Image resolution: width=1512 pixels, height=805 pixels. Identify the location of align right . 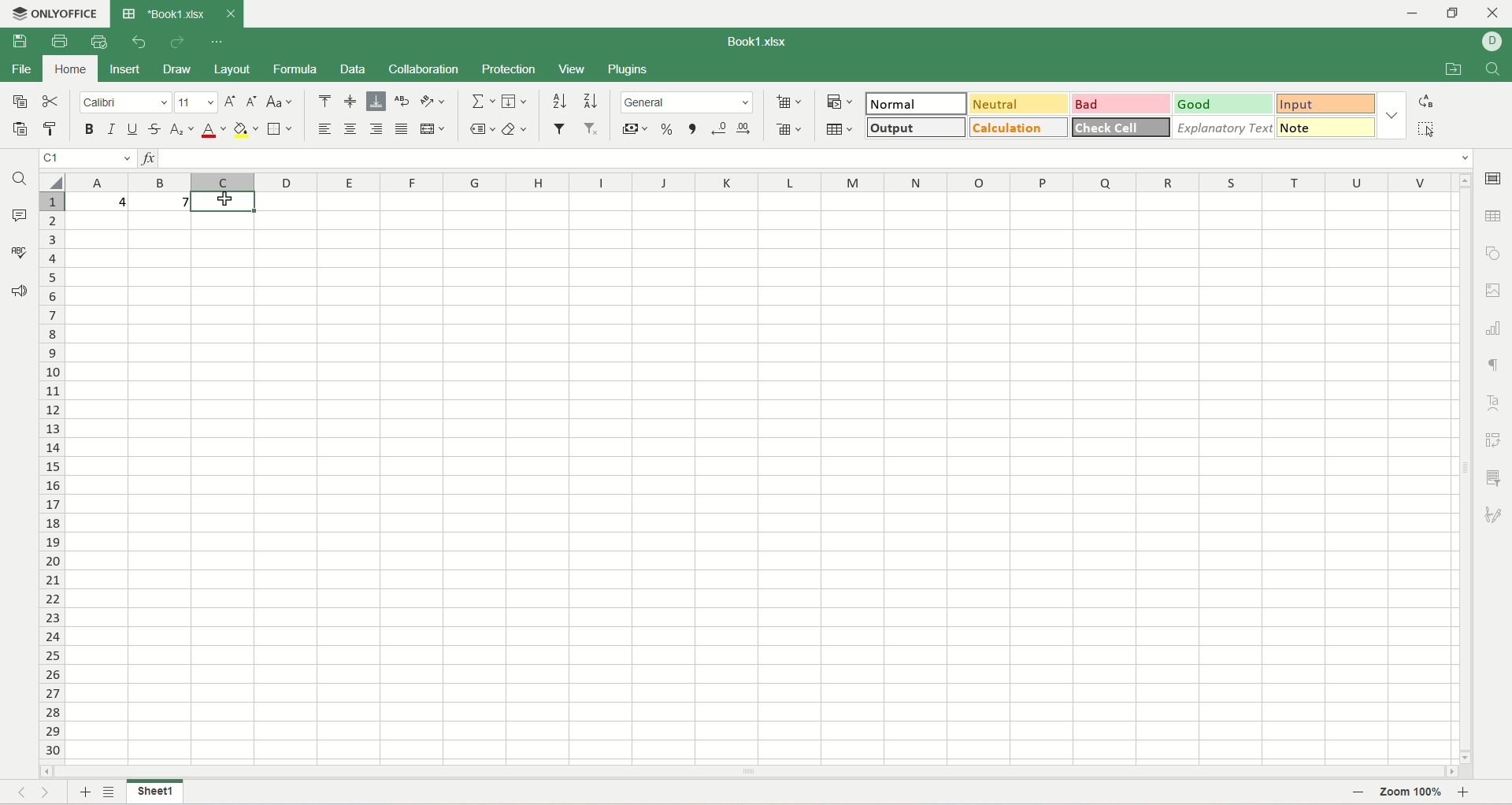
(376, 129).